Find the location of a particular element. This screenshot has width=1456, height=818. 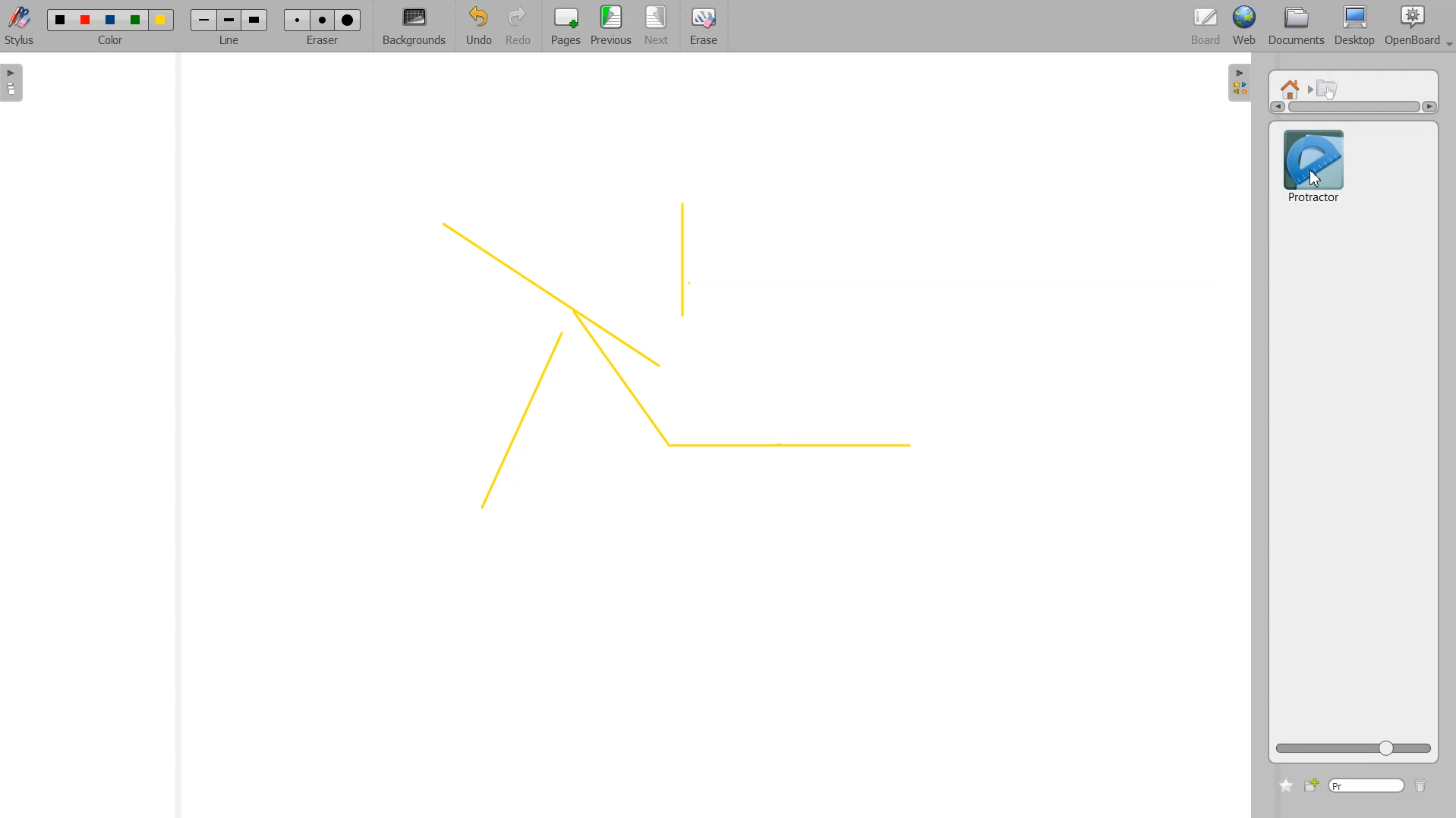

Vertical scrollbar is located at coordinates (1354, 107).